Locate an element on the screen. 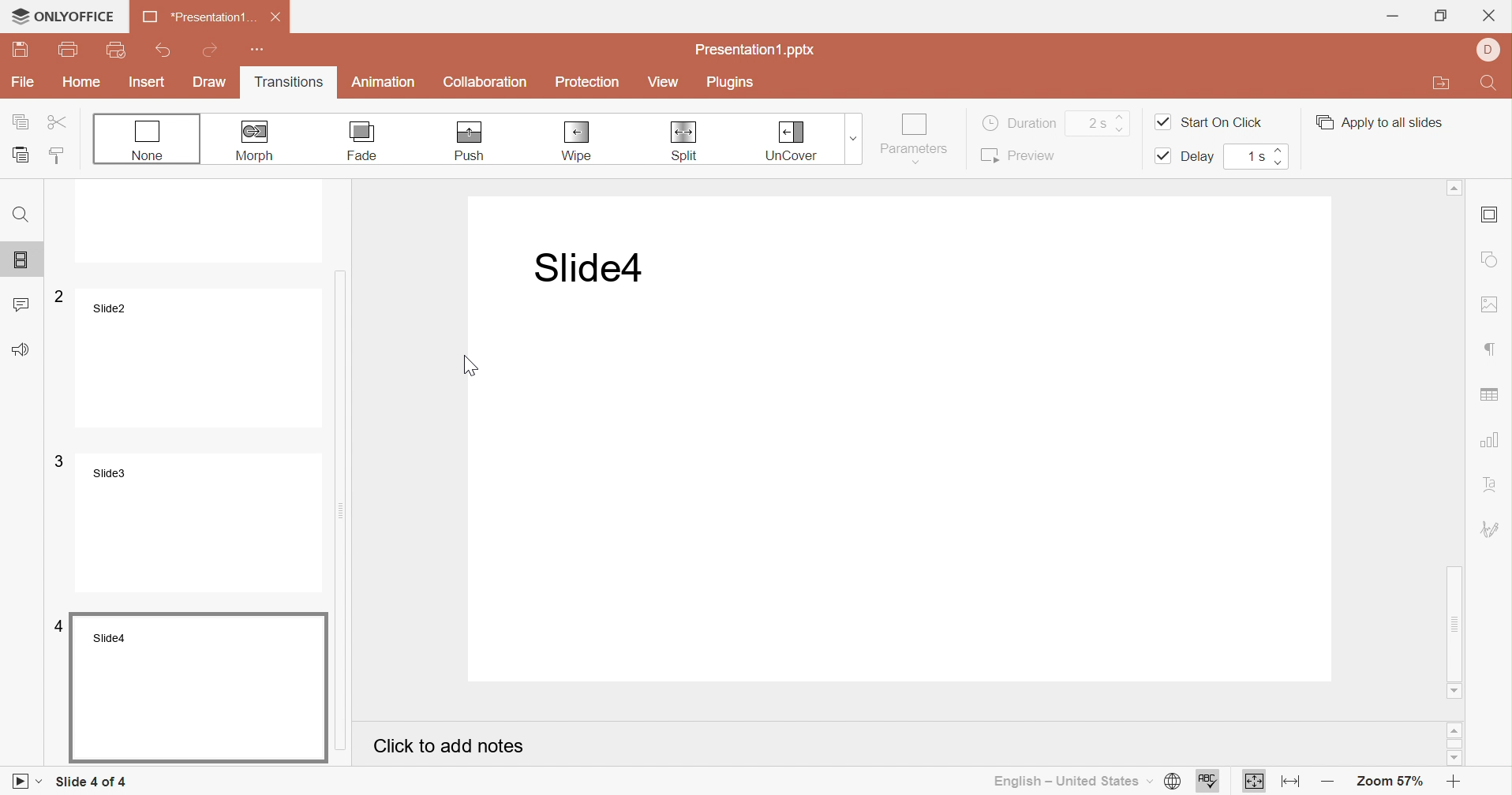 Image resolution: width=1512 pixels, height=795 pixels. Minimize is located at coordinates (1393, 17).